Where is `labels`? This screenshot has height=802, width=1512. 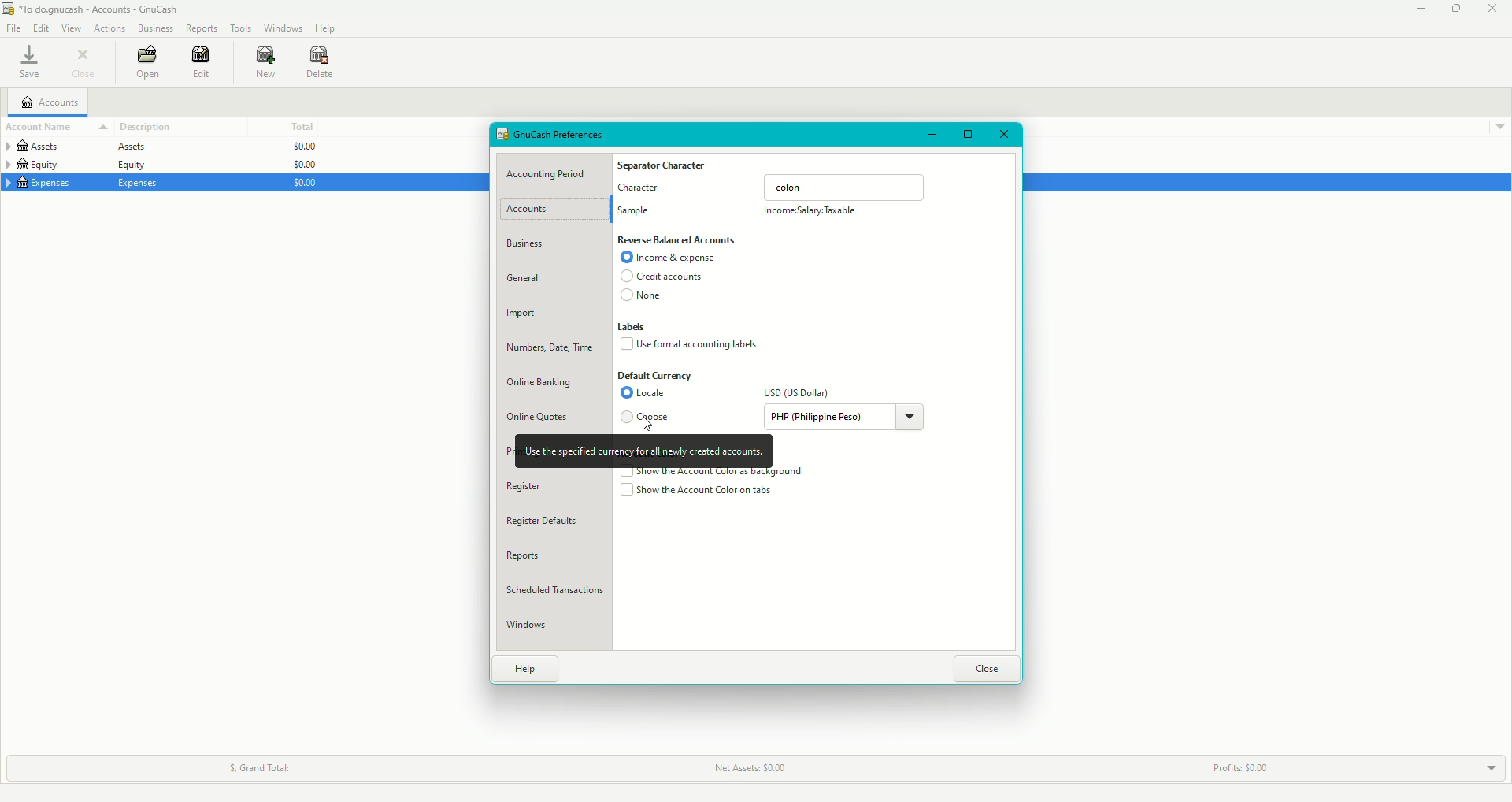 labels is located at coordinates (634, 327).